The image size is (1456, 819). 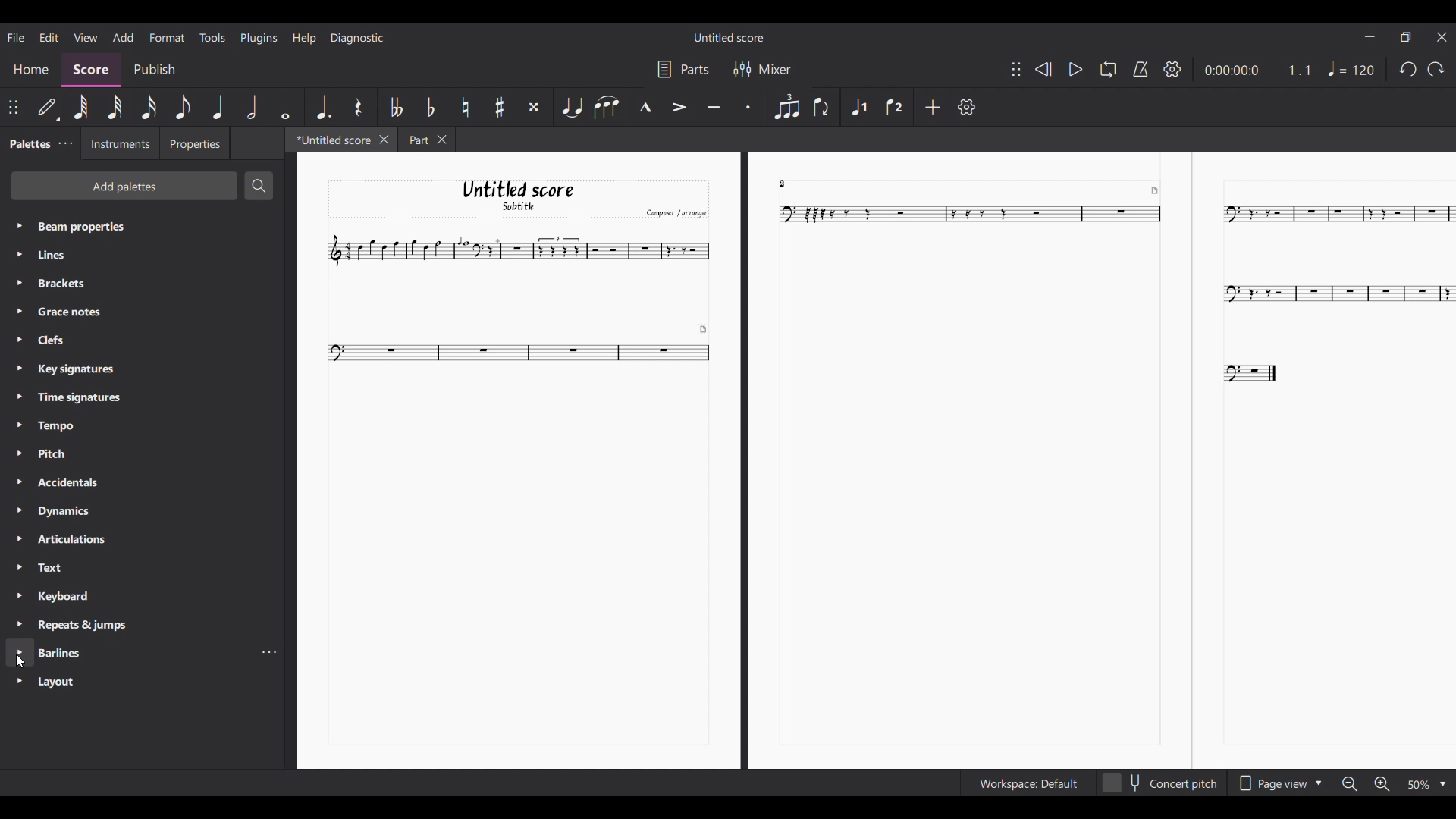 What do you see at coordinates (728, 36) in the screenshot?
I see `Score title` at bounding box center [728, 36].